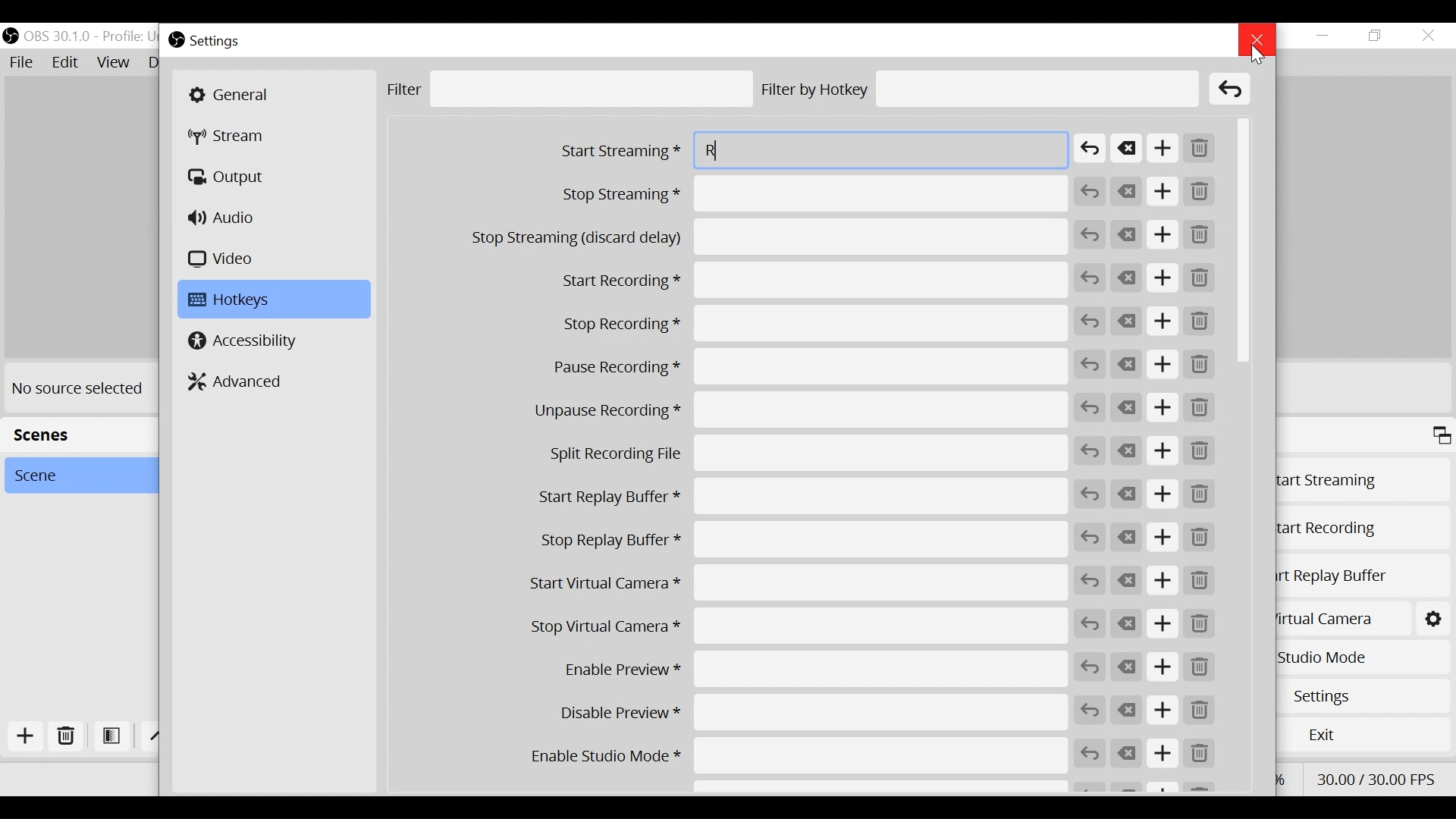 The width and height of the screenshot is (1456, 819). Describe the element at coordinates (1200, 755) in the screenshot. I see `Remove` at that location.